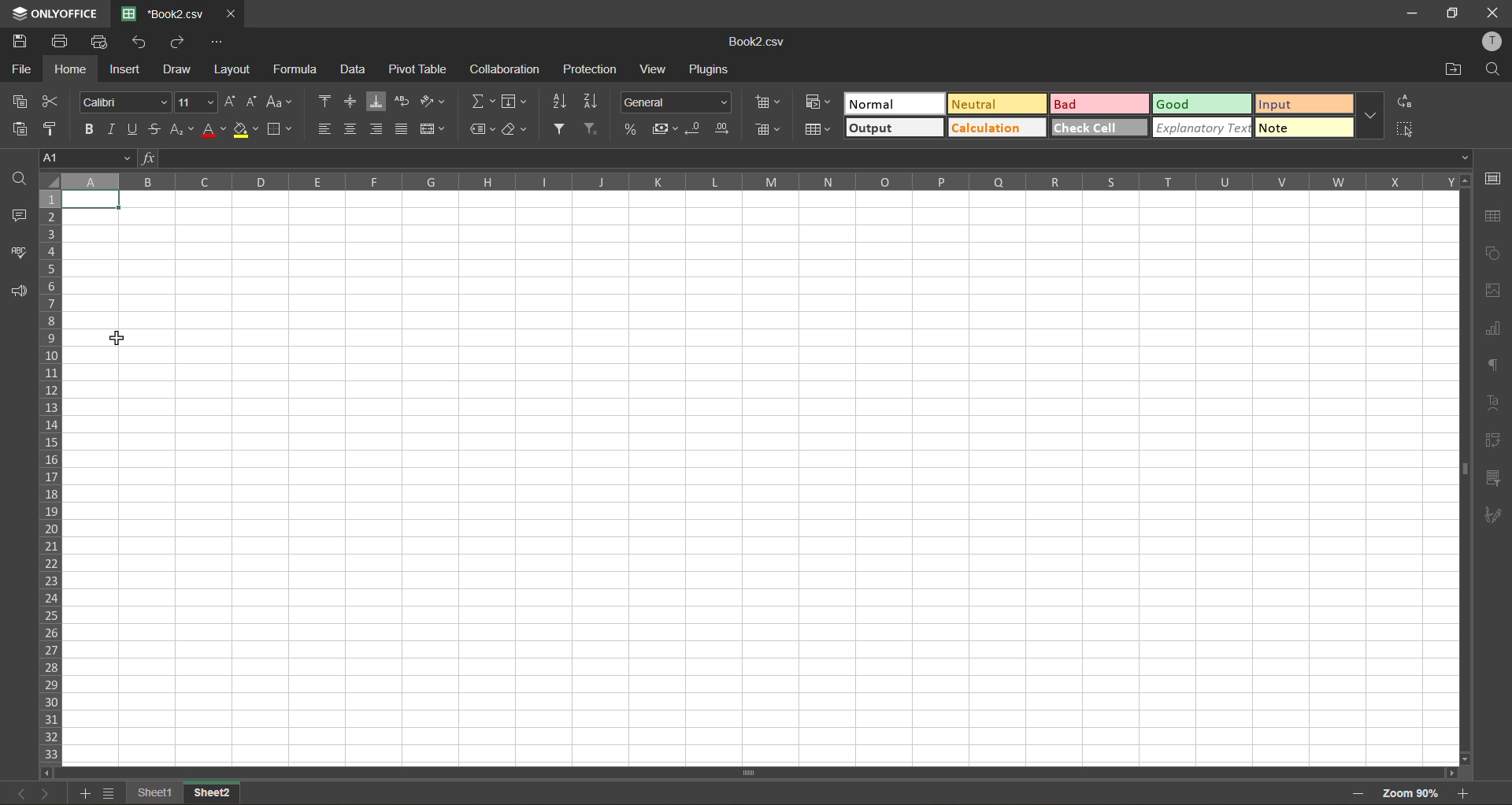 This screenshot has width=1512, height=805. I want to click on underline, so click(133, 131).